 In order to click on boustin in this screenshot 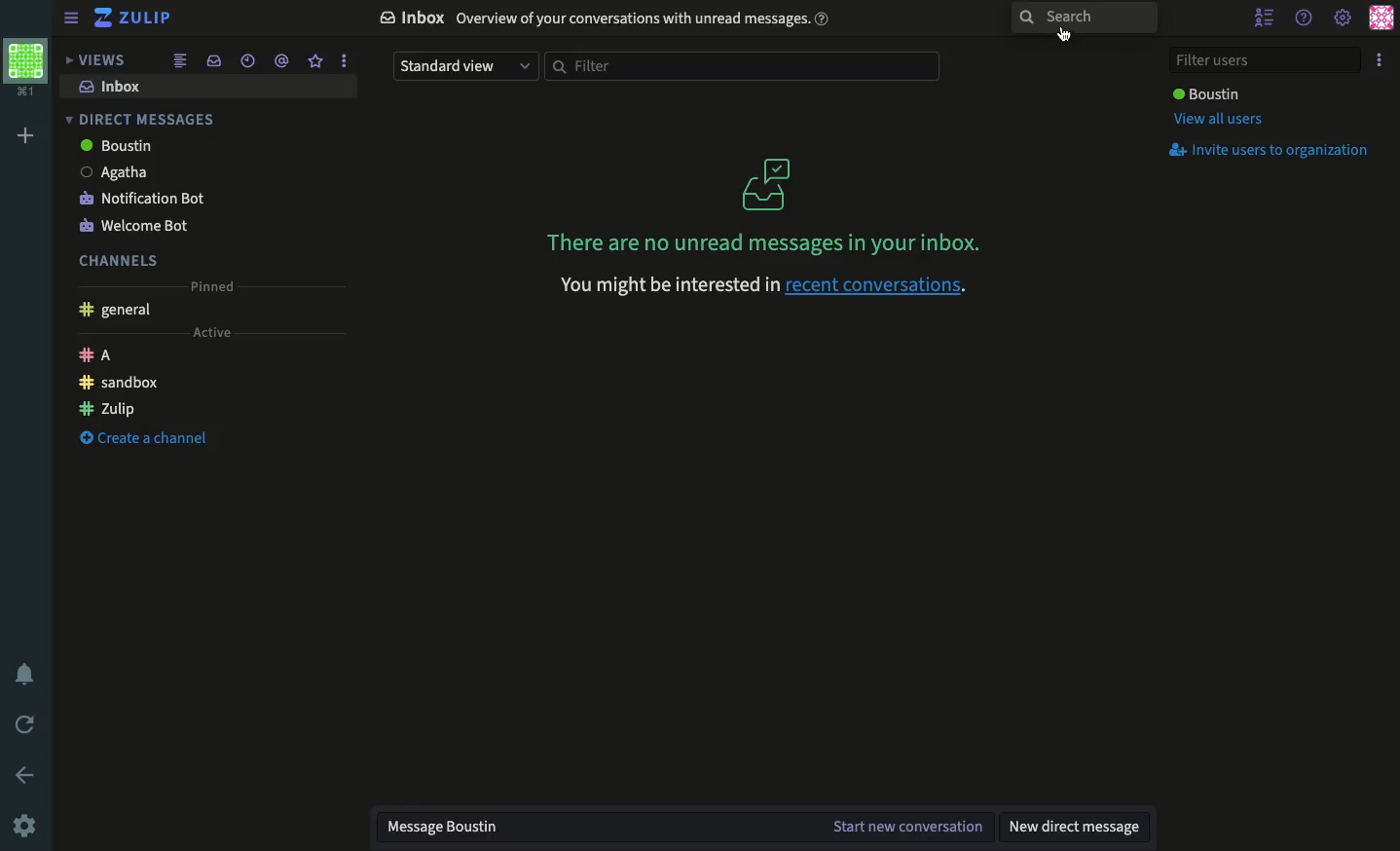, I will do `click(129, 148)`.